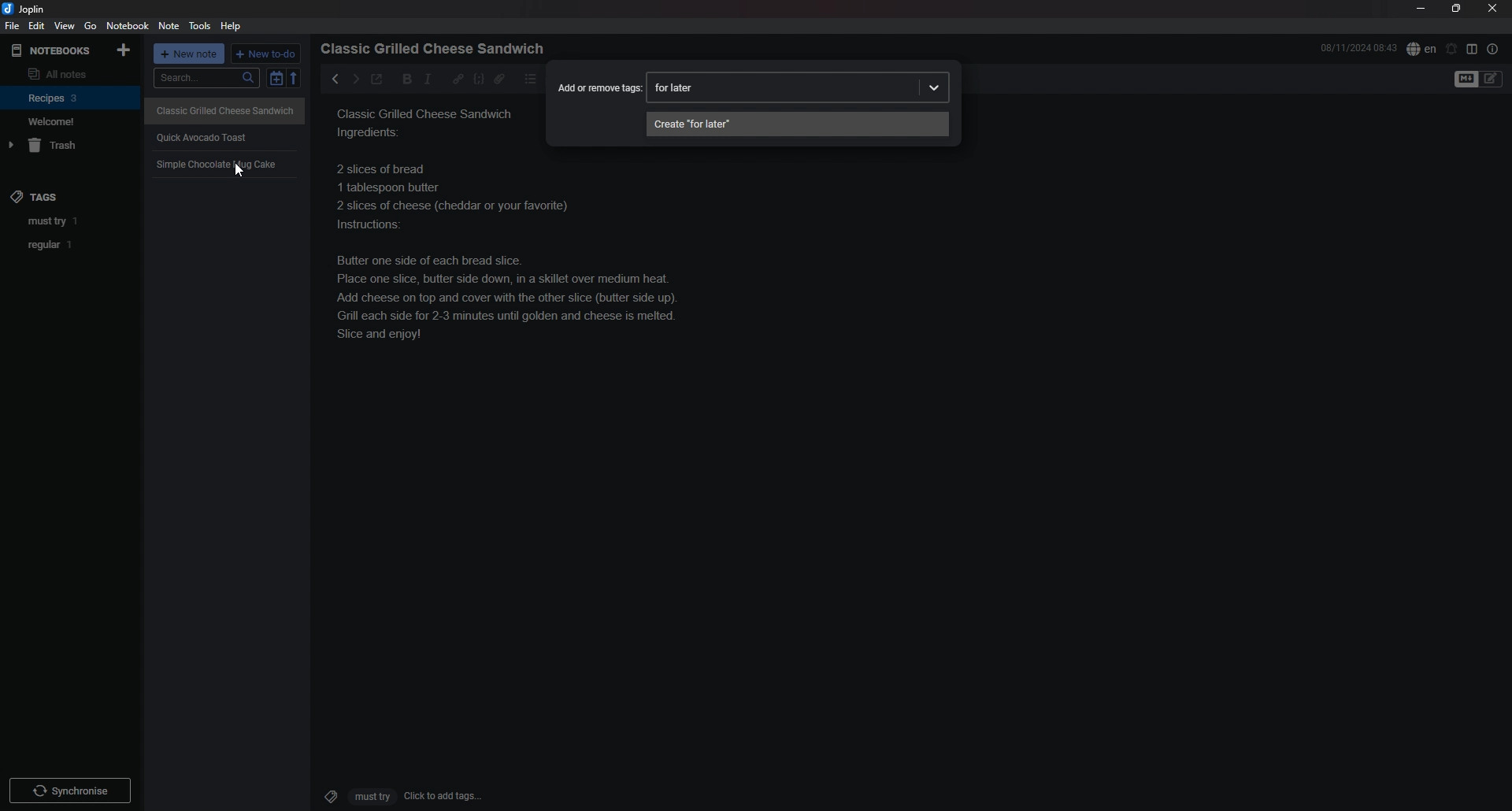 The height and width of the screenshot is (811, 1512). Describe the element at coordinates (53, 50) in the screenshot. I see `notebooks` at that location.